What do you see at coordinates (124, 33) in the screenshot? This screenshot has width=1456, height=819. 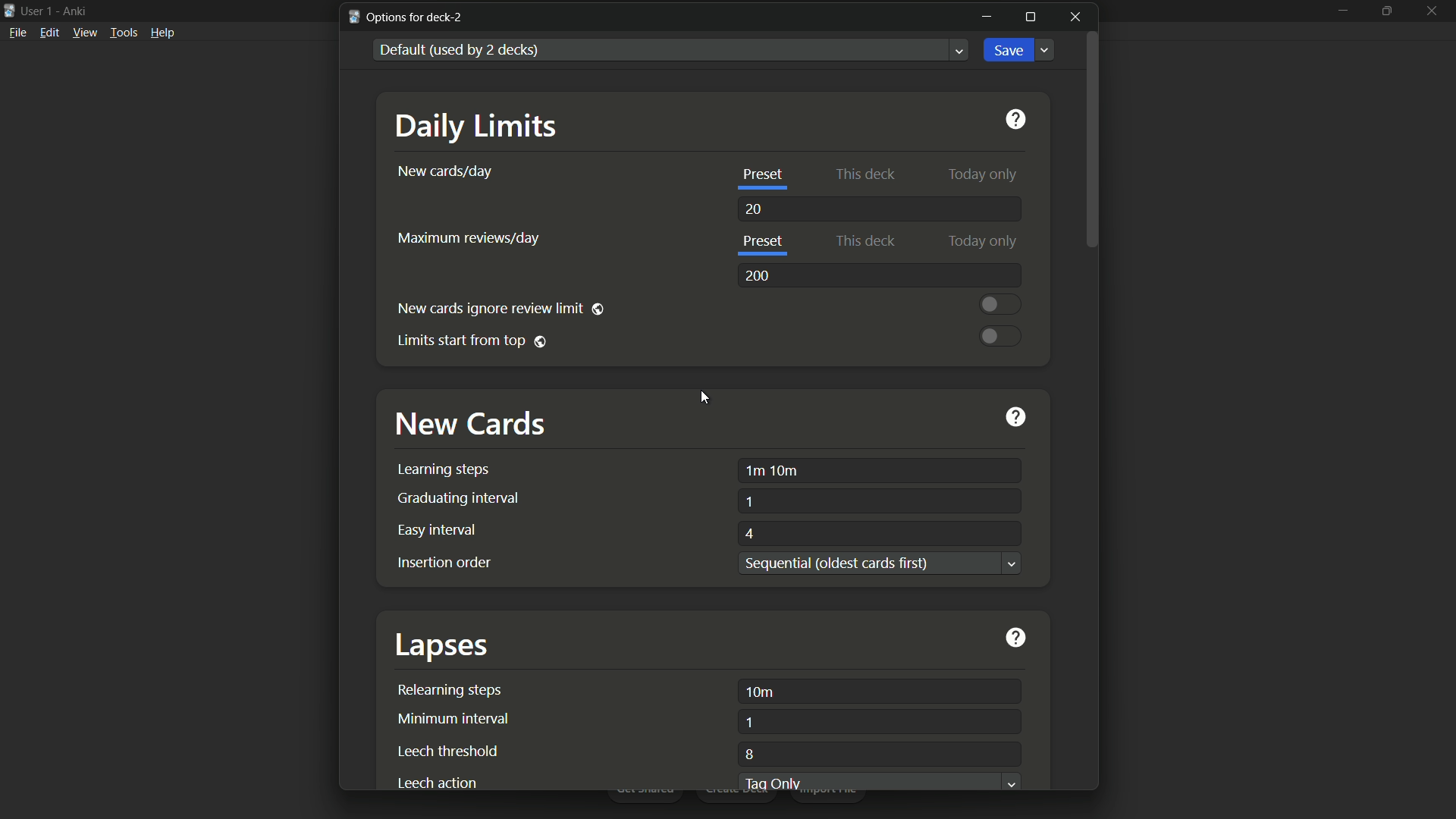 I see `tools menu` at bounding box center [124, 33].